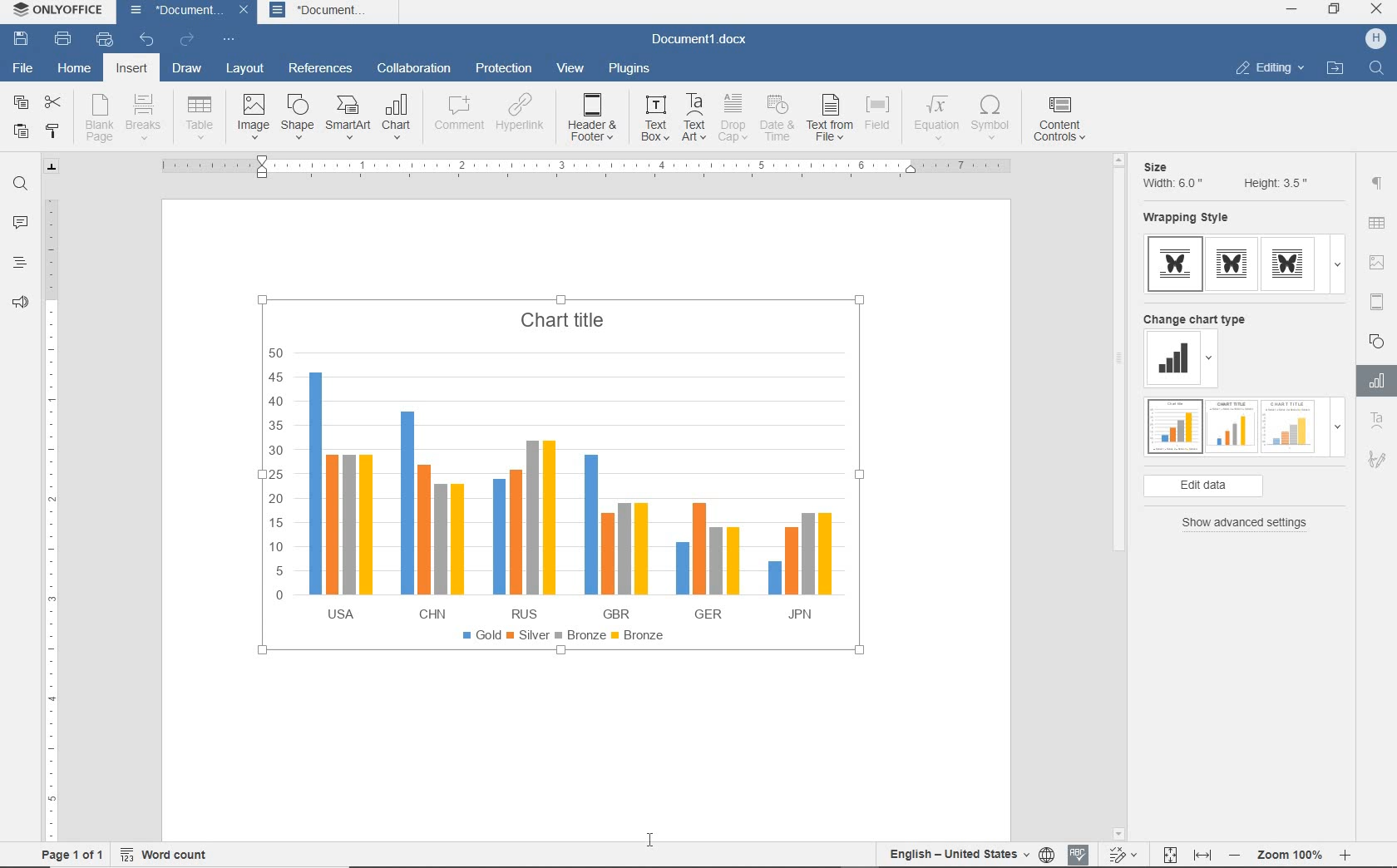 This screenshot has width=1397, height=868. Describe the element at coordinates (1079, 853) in the screenshot. I see `spell check` at that location.